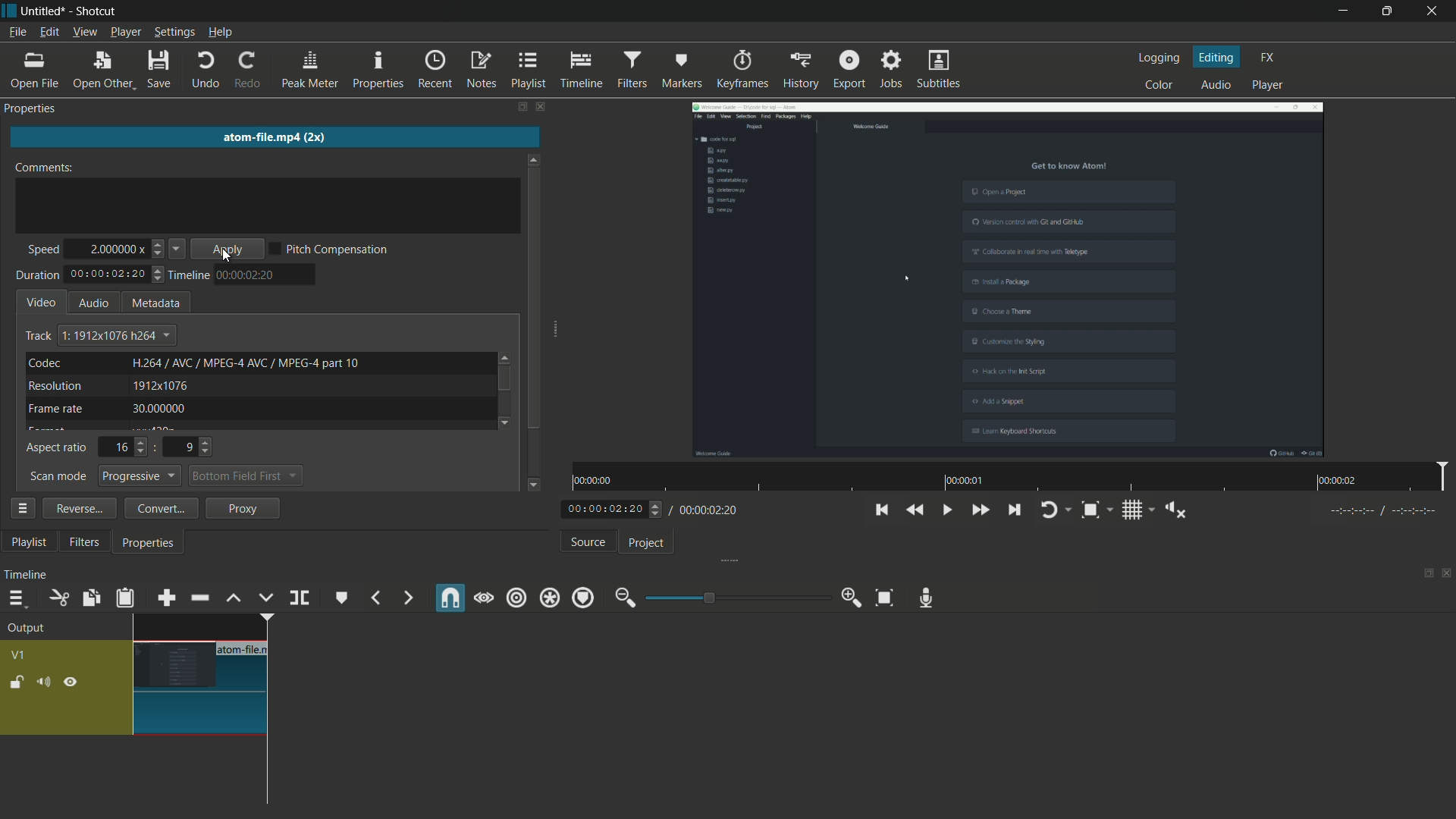  I want to click on view menu, so click(86, 33).